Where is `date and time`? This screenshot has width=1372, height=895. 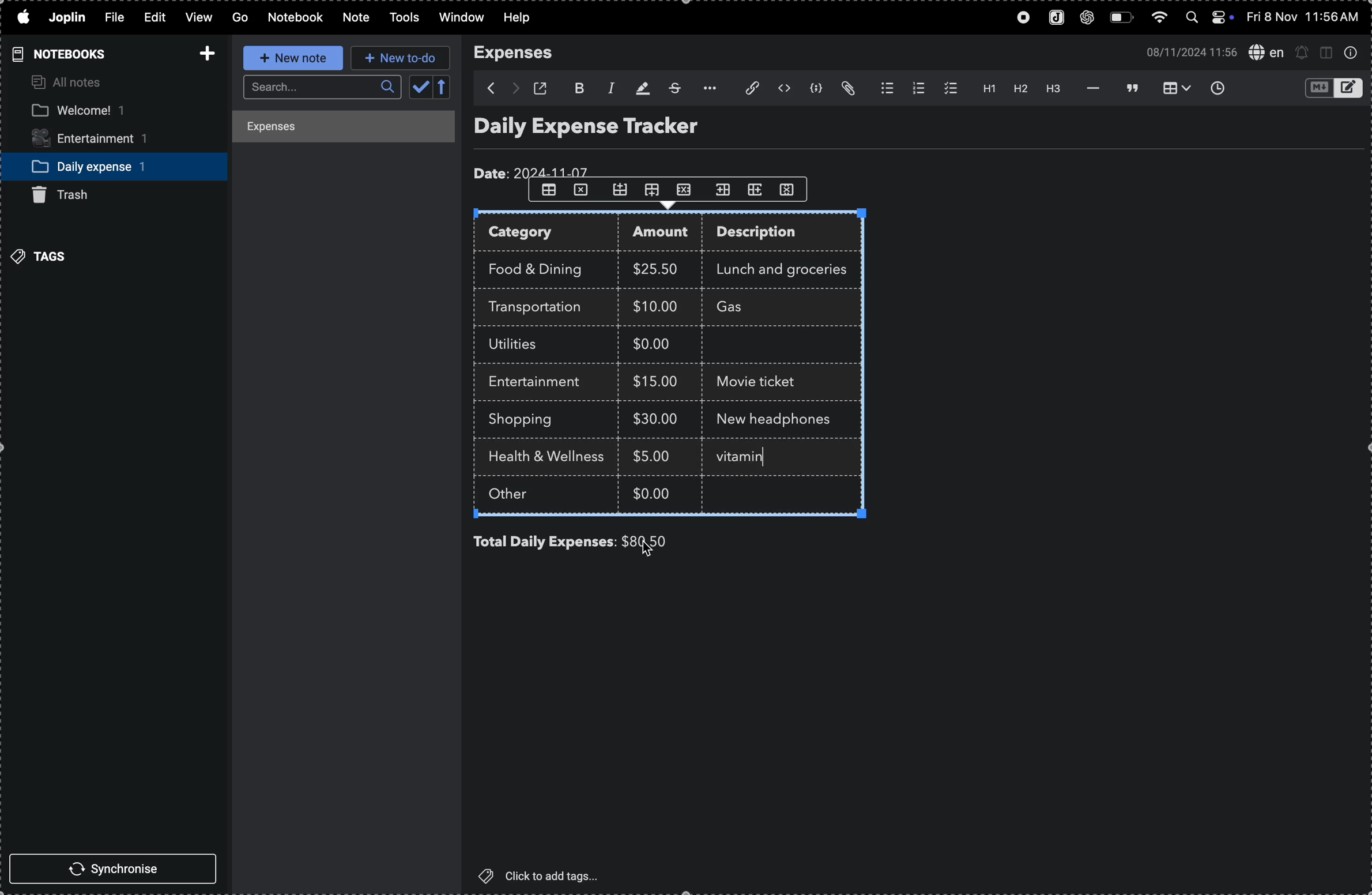 date and time is located at coordinates (1187, 51).